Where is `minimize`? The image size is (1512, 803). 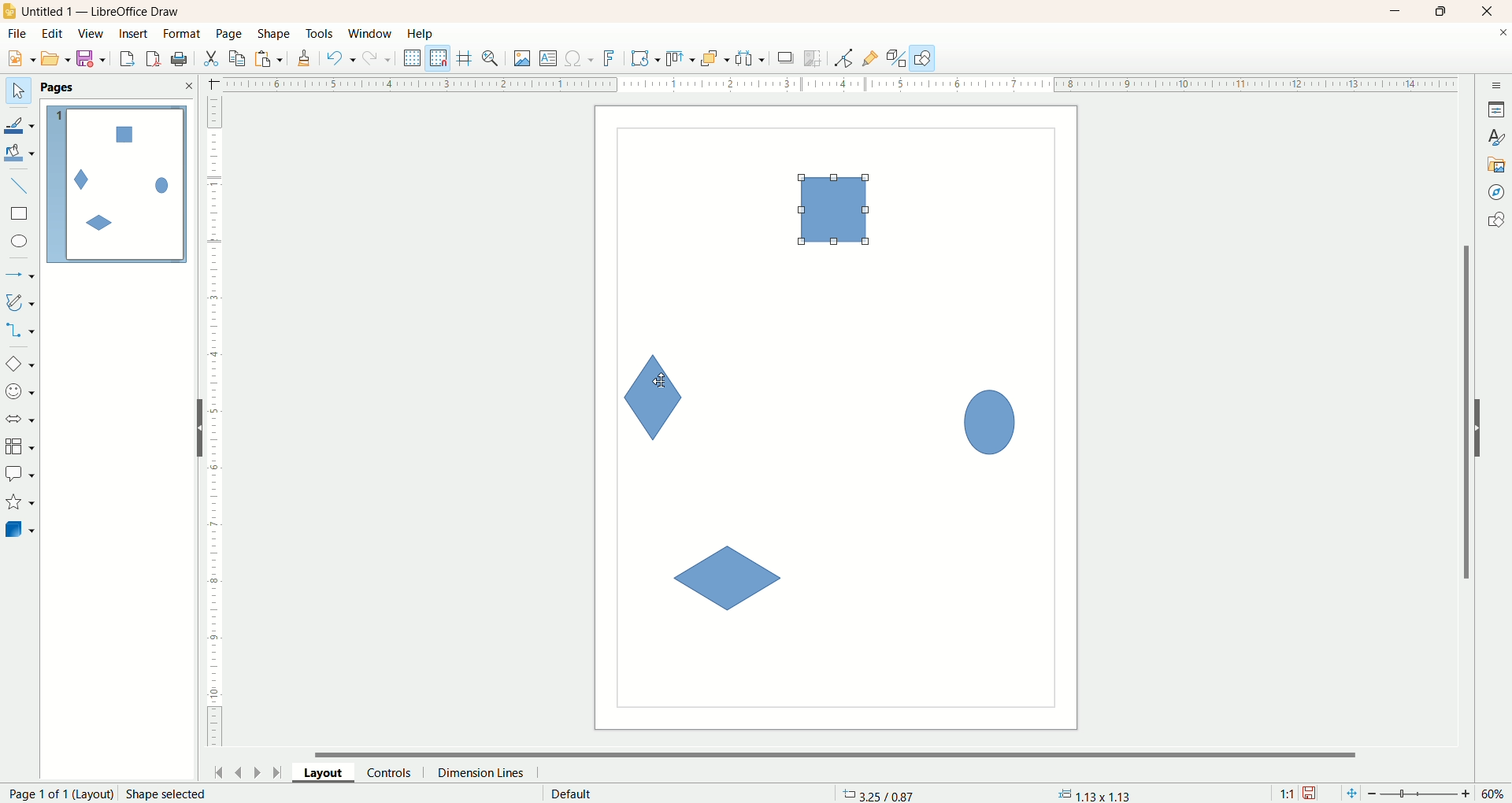
minimize is located at coordinates (1396, 11).